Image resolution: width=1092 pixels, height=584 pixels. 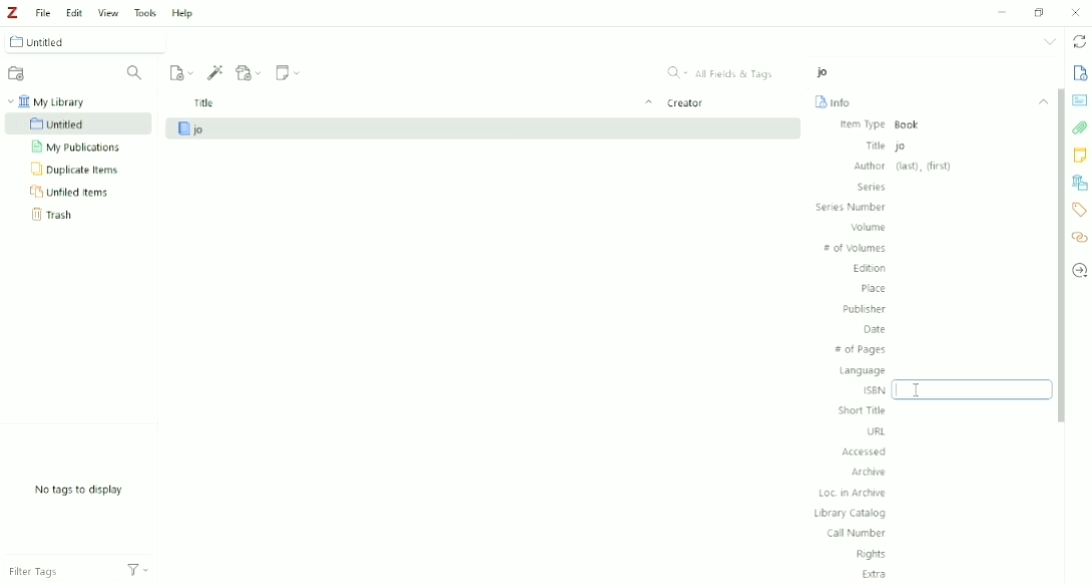 What do you see at coordinates (1050, 41) in the screenshot?
I see `List all tabs` at bounding box center [1050, 41].